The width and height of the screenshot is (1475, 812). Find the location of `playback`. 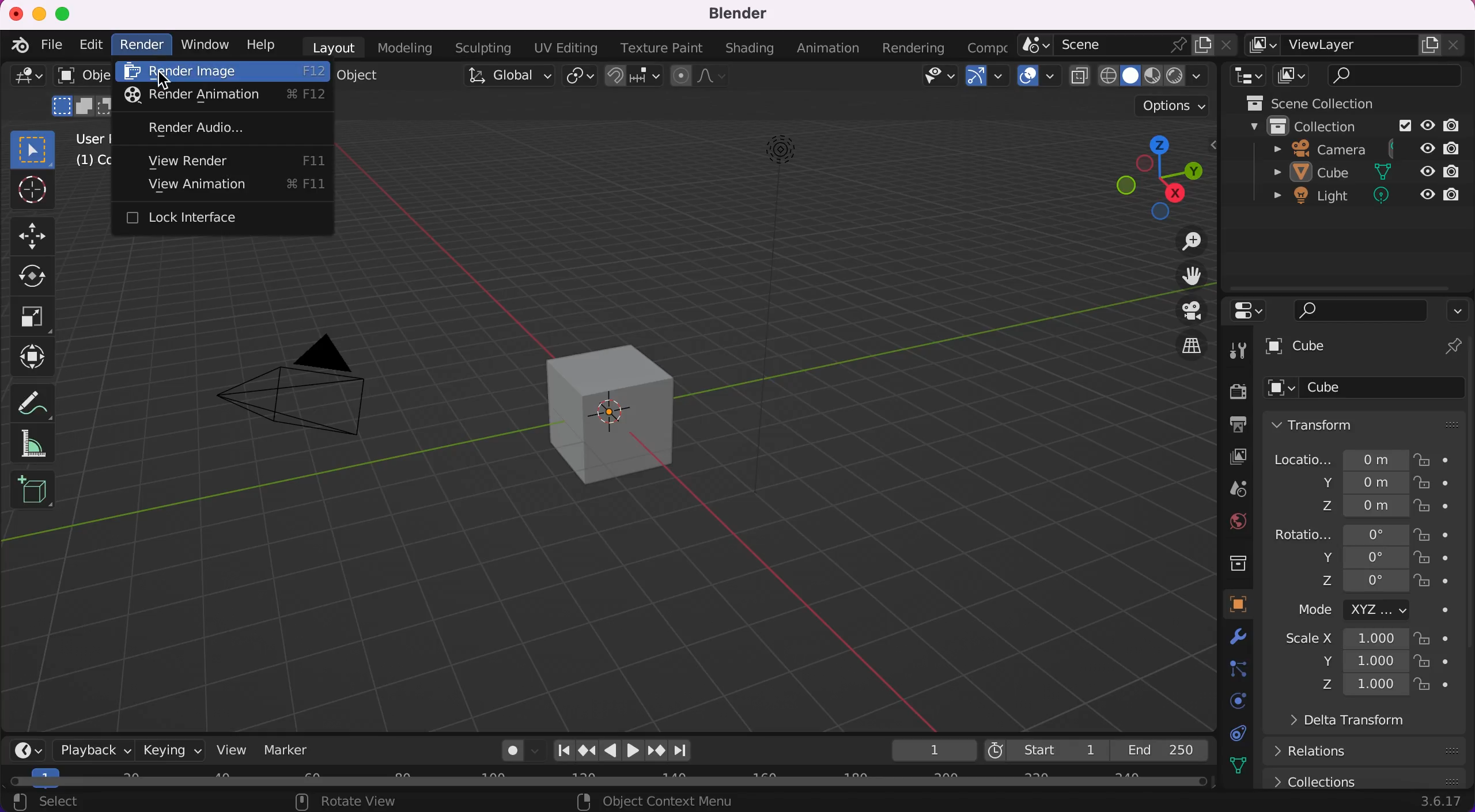

playback is located at coordinates (86, 749).